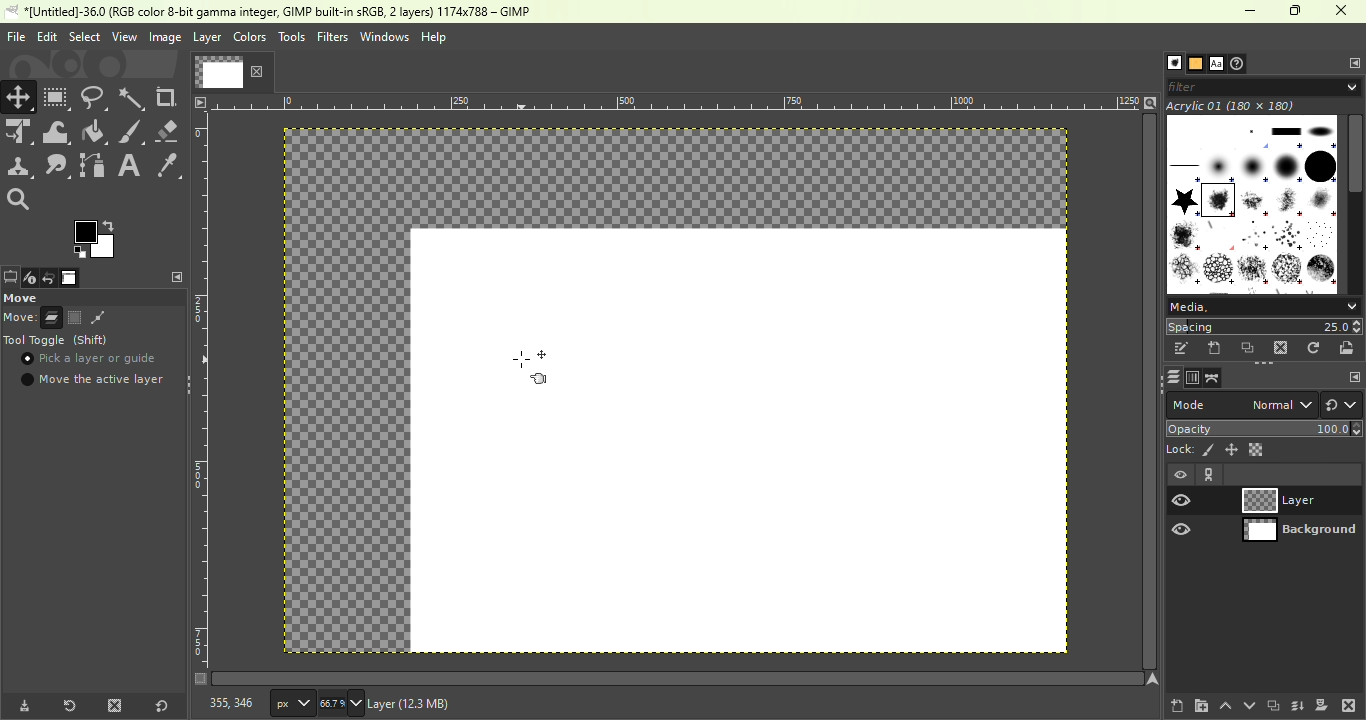  Describe the element at coordinates (74, 317) in the screenshot. I see `Add to the current selection` at that location.